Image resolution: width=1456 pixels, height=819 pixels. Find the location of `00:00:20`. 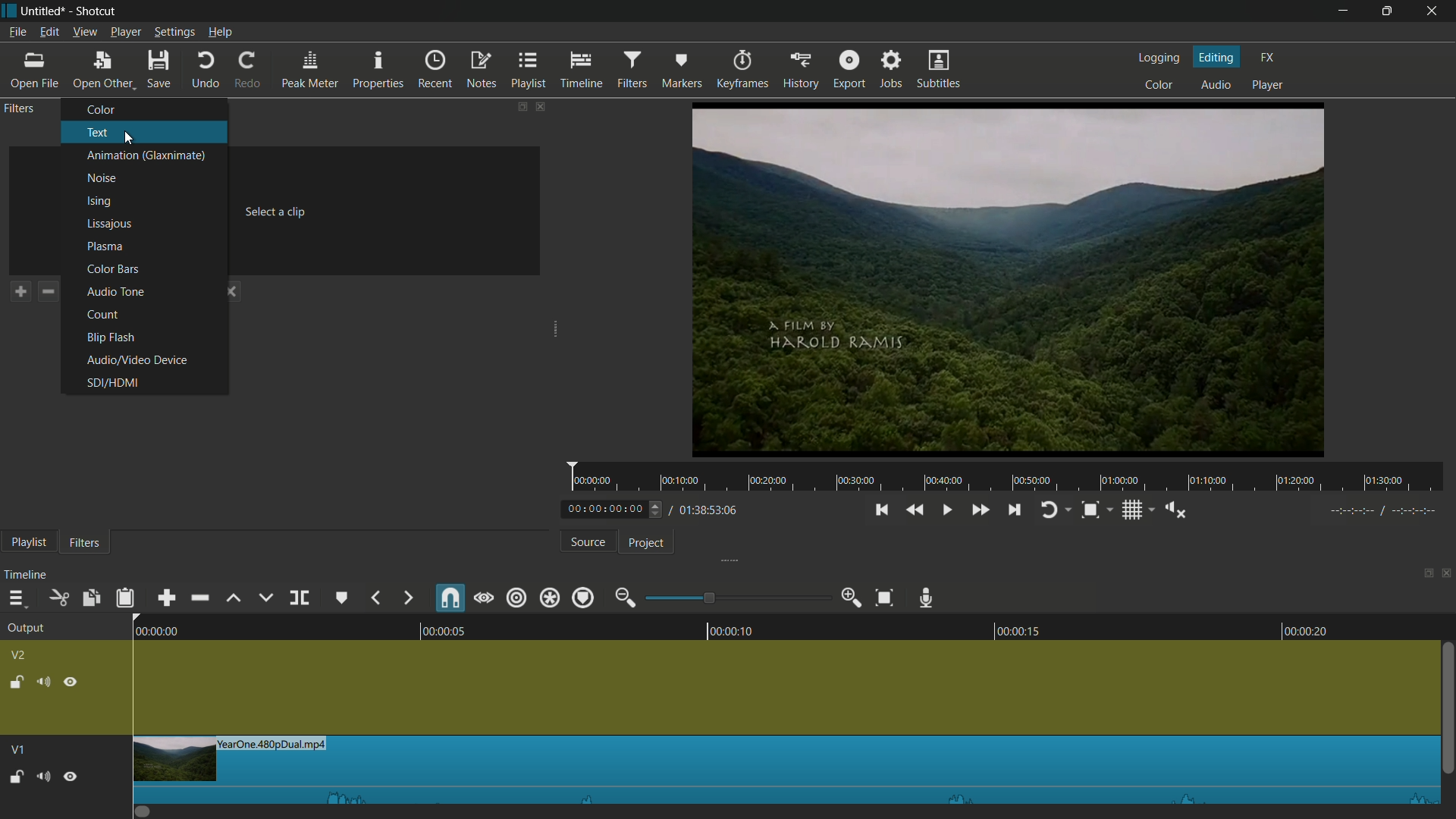

00:00:20 is located at coordinates (1313, 630).